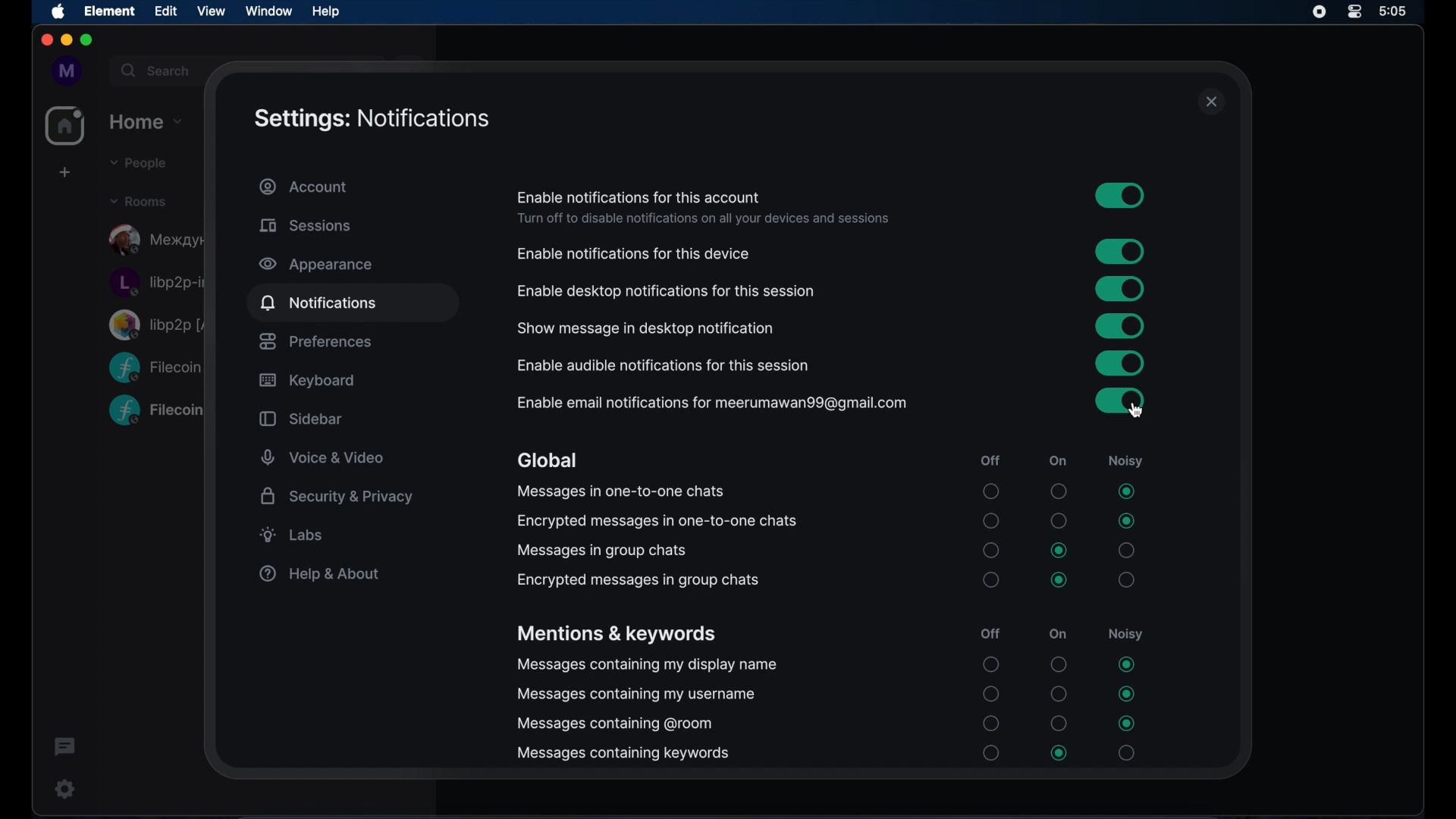 Image resolution: width=1456 pixels, height=819 pixels. I want to click on people, so click(136, 163).